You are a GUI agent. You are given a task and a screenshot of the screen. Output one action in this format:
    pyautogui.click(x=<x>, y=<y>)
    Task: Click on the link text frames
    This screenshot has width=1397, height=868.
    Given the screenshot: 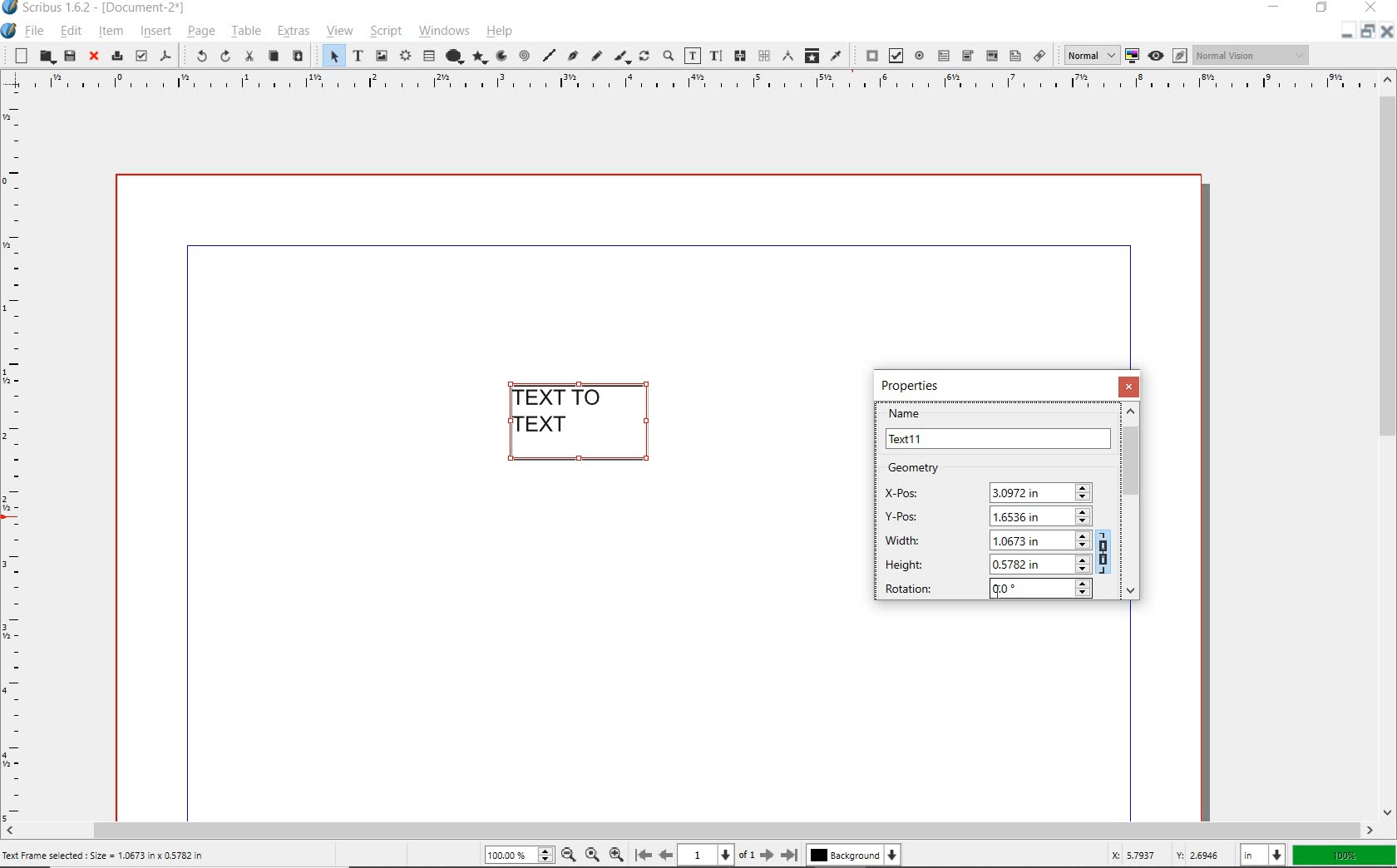 What is the action you would take?
    pyautogui.click(x=740, y=56)
    